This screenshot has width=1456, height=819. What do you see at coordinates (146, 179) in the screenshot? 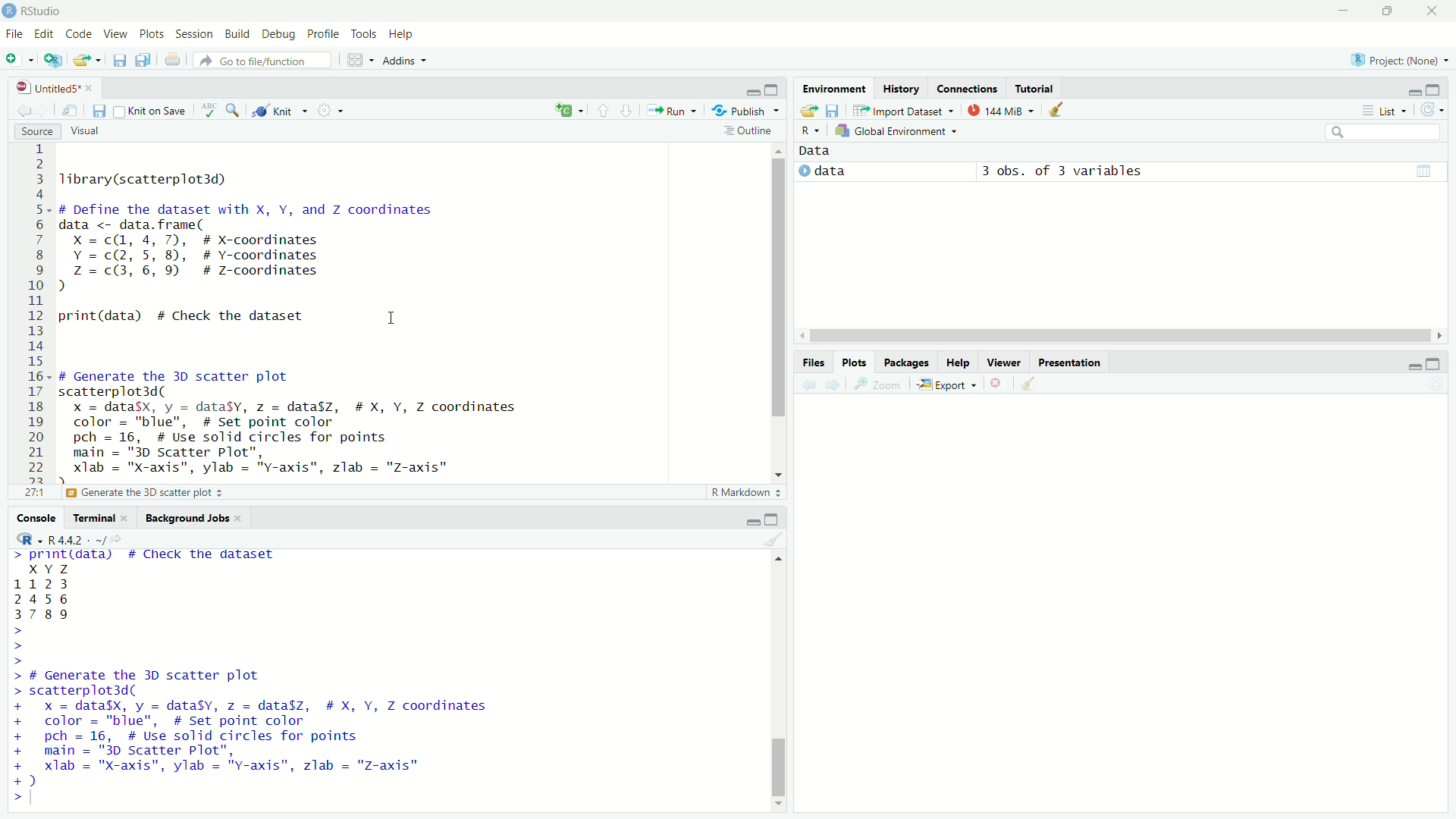
I see `library (scatterplot3d)` at bounding box center [146, 179].